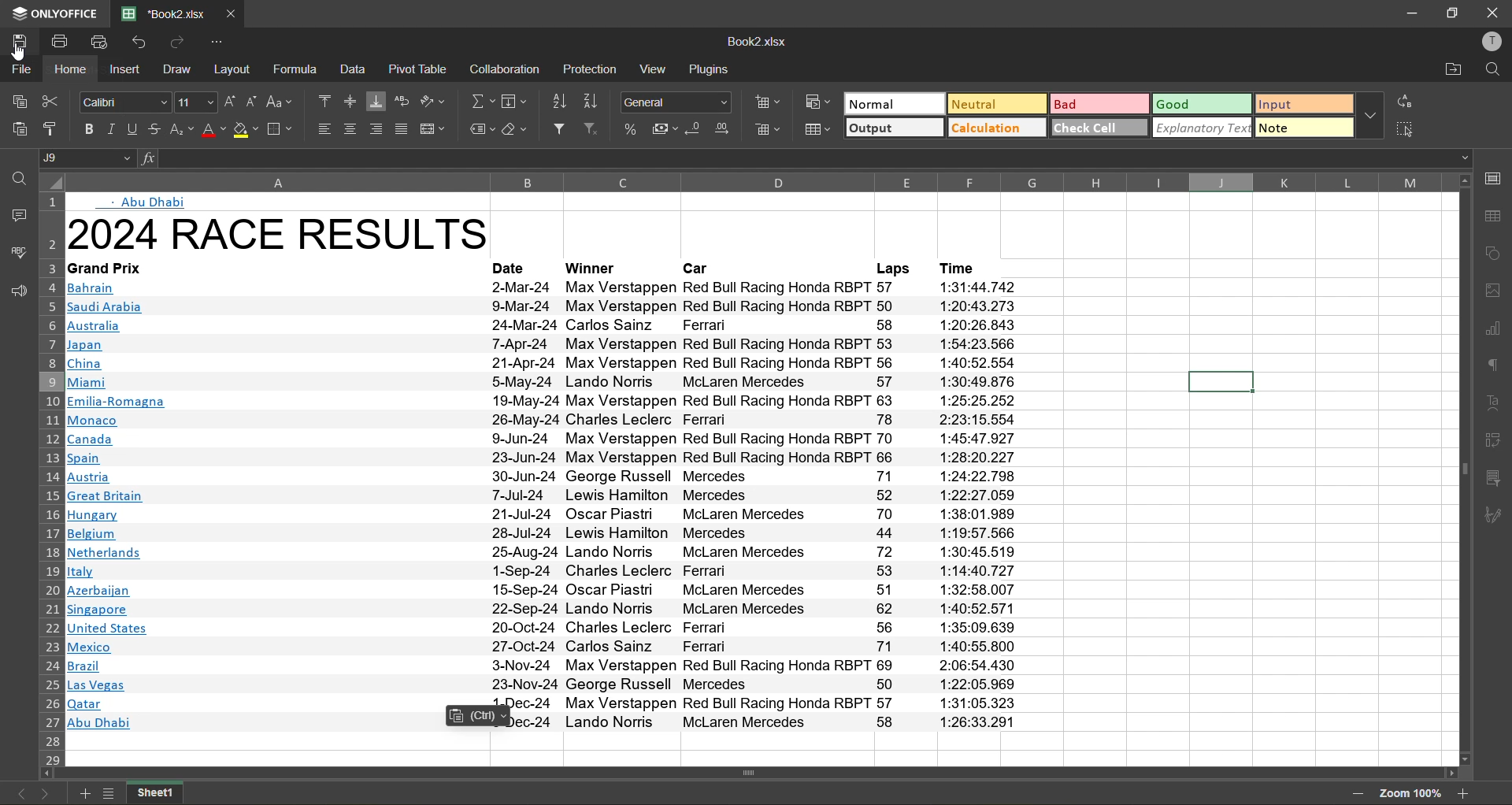  What do you see at coordinates (128, 97) in the screenshot?
I see `font style` at bounding box center [128, 97].